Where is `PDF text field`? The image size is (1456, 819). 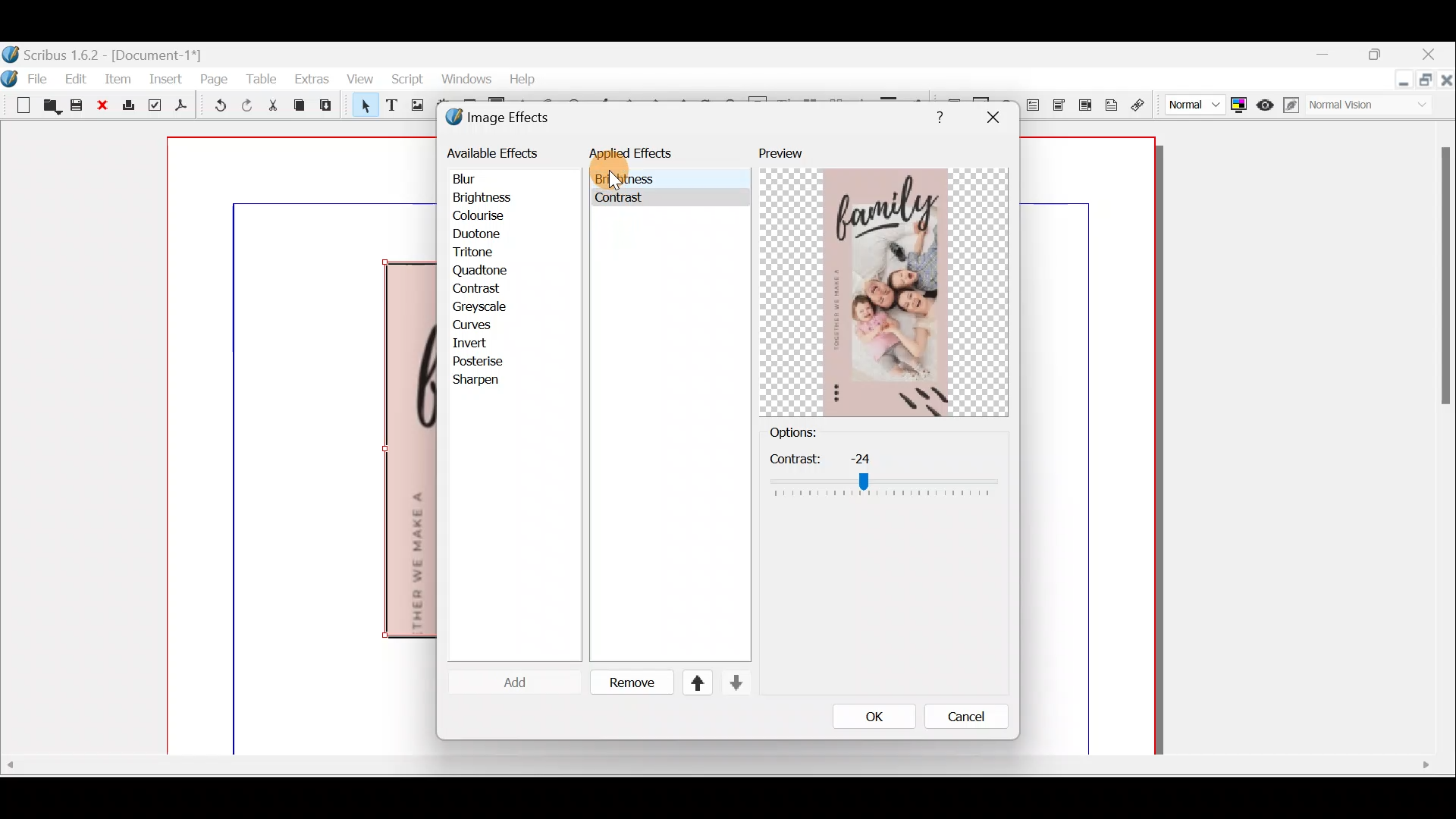 PDF text field is located at coordinates (1032, 105).